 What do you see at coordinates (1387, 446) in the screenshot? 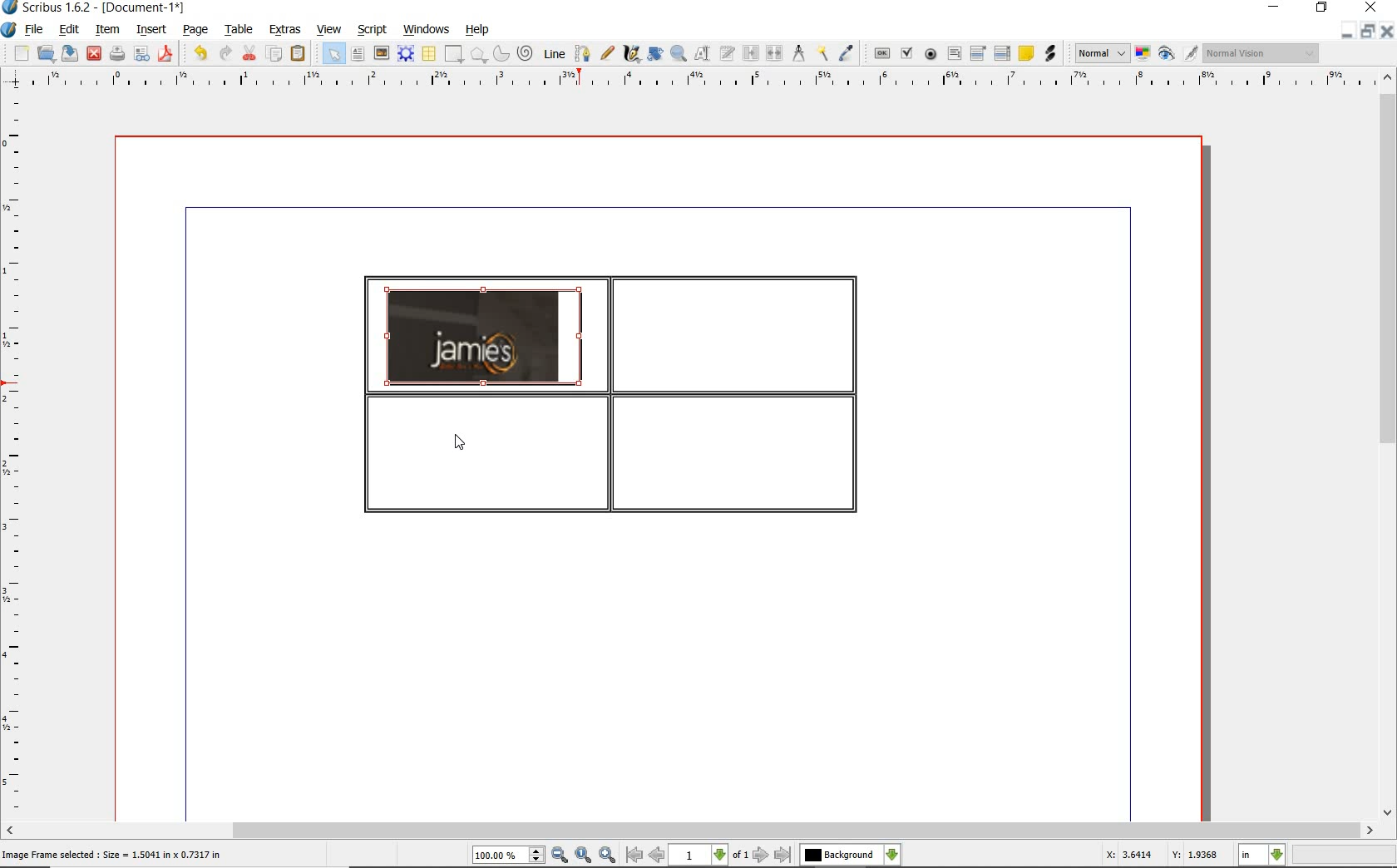
I see `scrollbar` at bounding box center [1387, 446].